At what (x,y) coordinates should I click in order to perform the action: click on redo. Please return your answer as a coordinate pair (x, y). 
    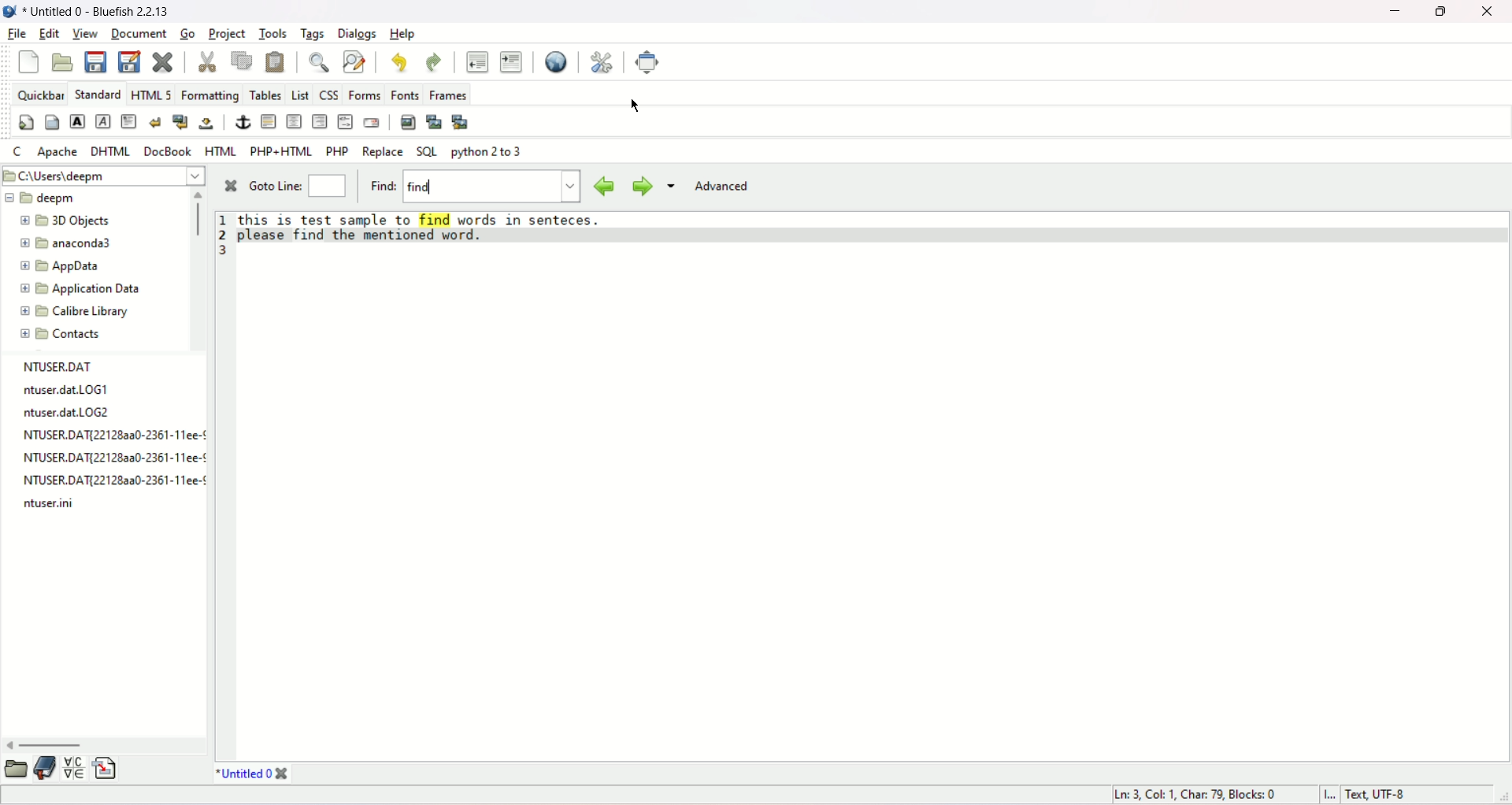
    Looking at the image, I should click on (435, 61).